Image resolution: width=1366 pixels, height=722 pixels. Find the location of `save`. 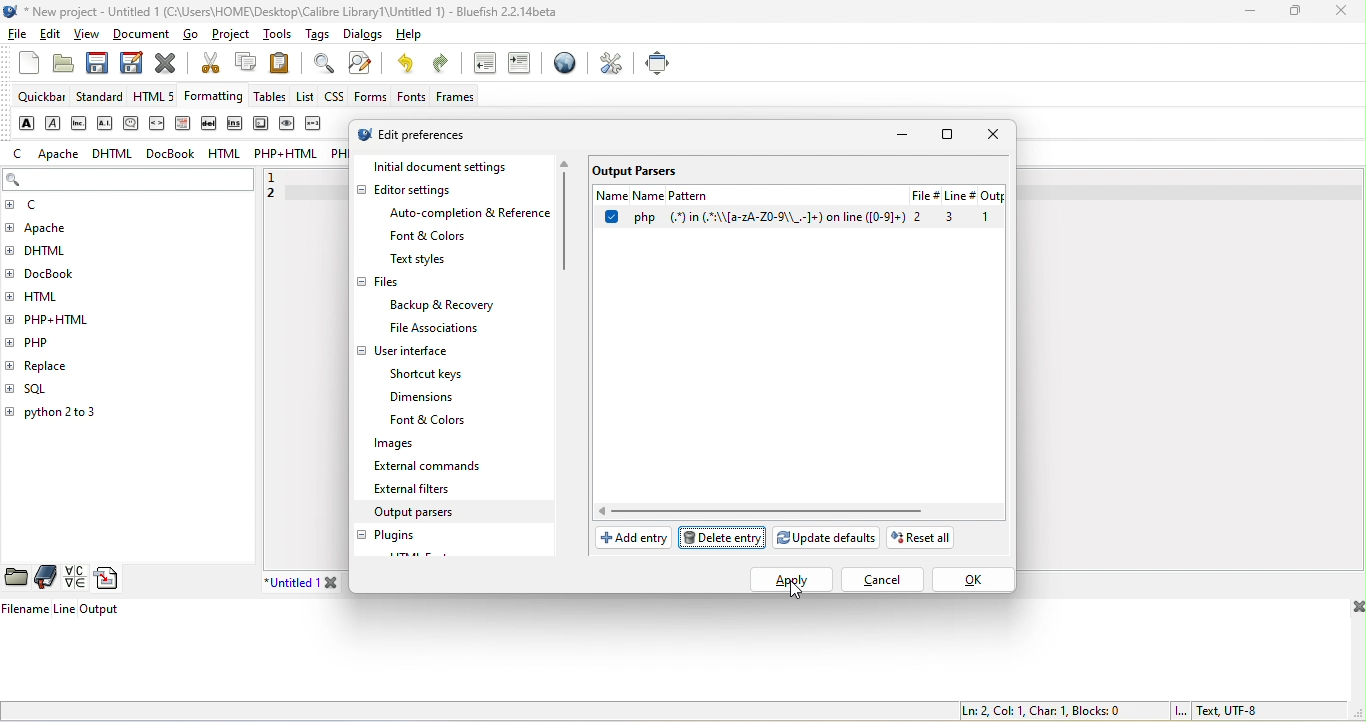

save is located at coordinates (97, 63).